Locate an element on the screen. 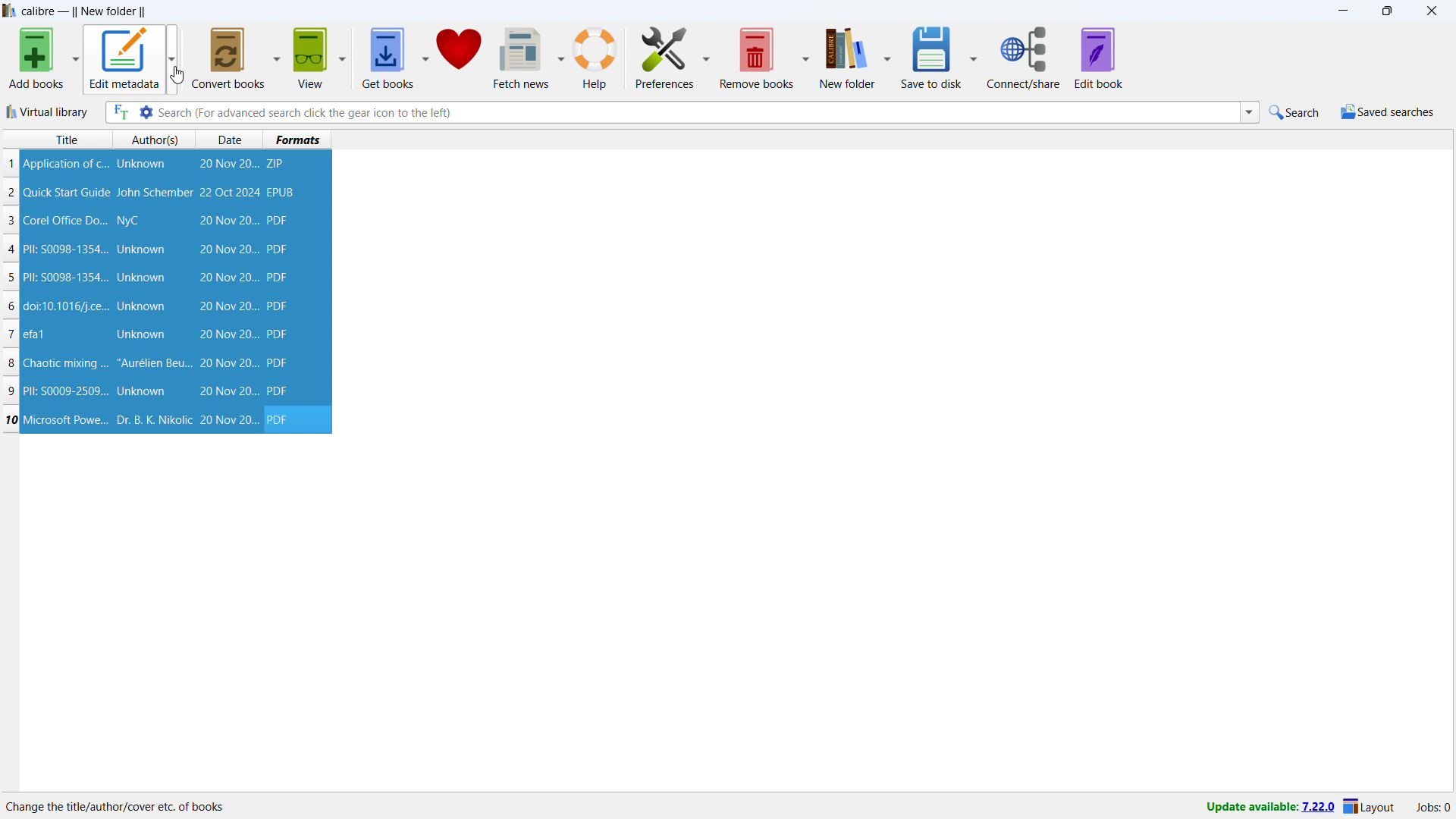  edit metadata is located at coordinates (125, 57).